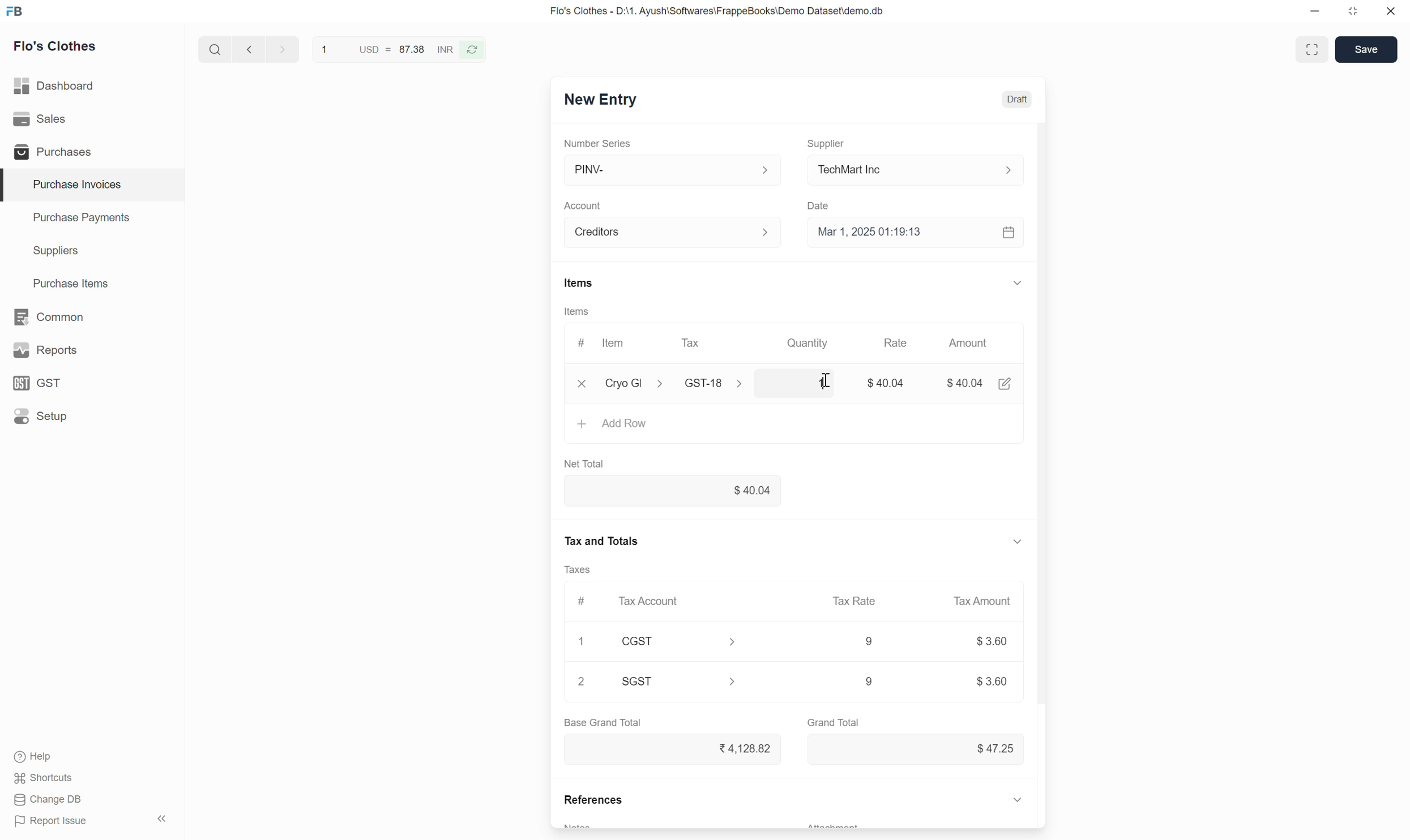  I want to click on $40.04, so click(967, 382).